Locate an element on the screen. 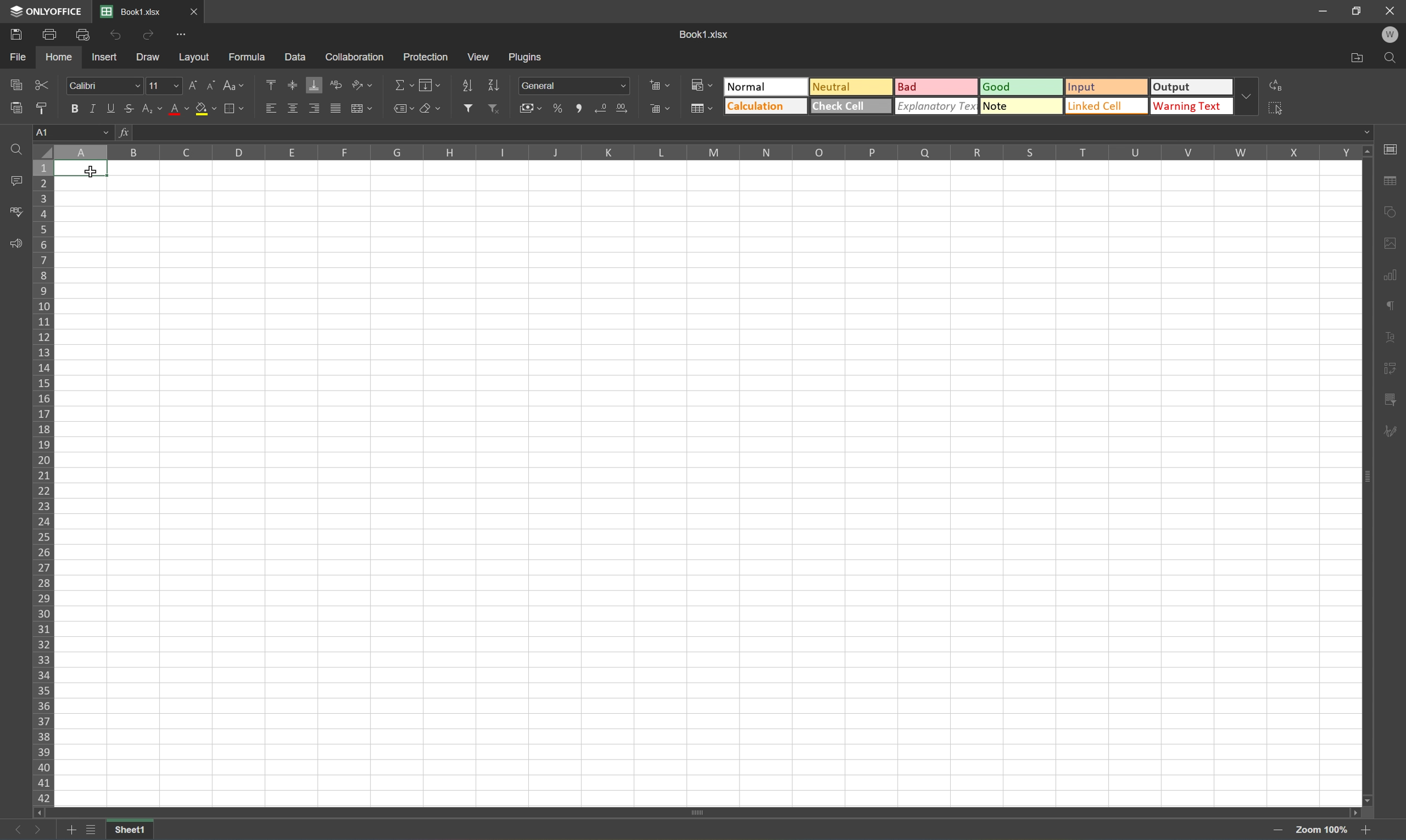 This screenshot has height=840, width=1406. Output is located at coordinates (1195, 87).